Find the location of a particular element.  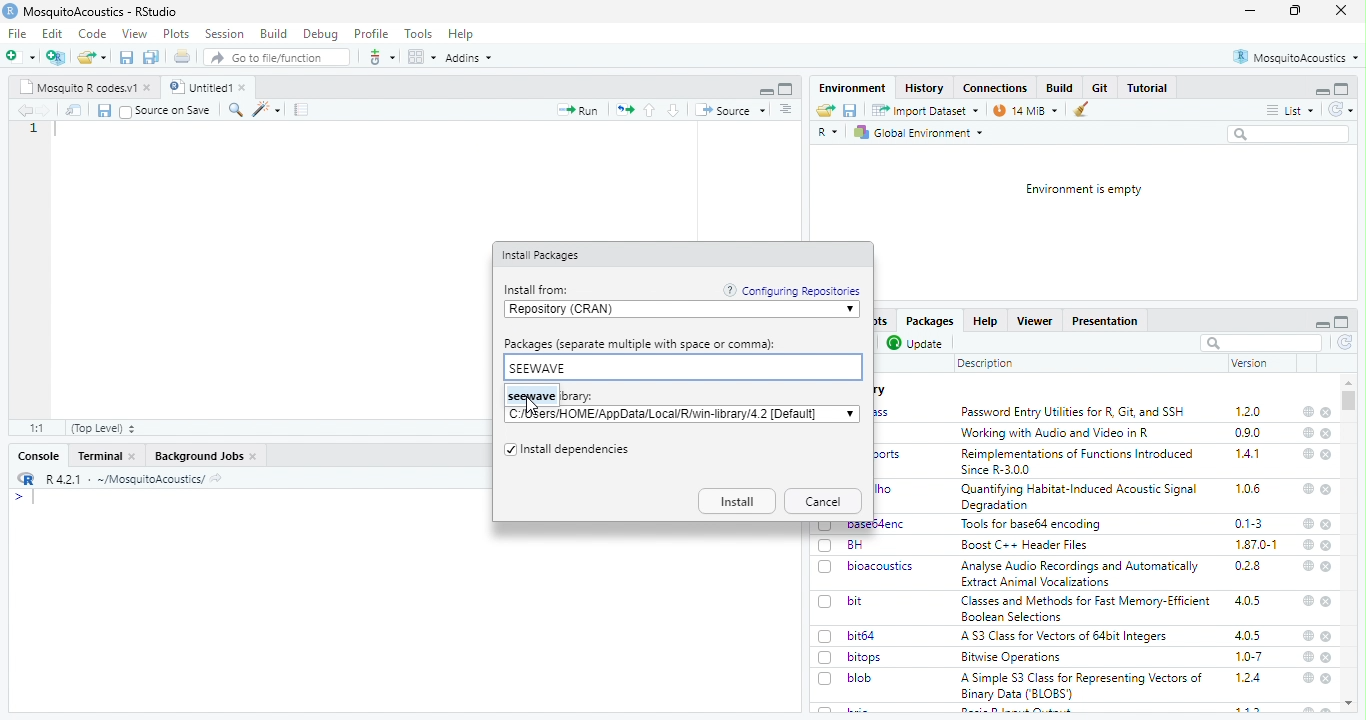

maximise is located at coordinates (1295, 10).